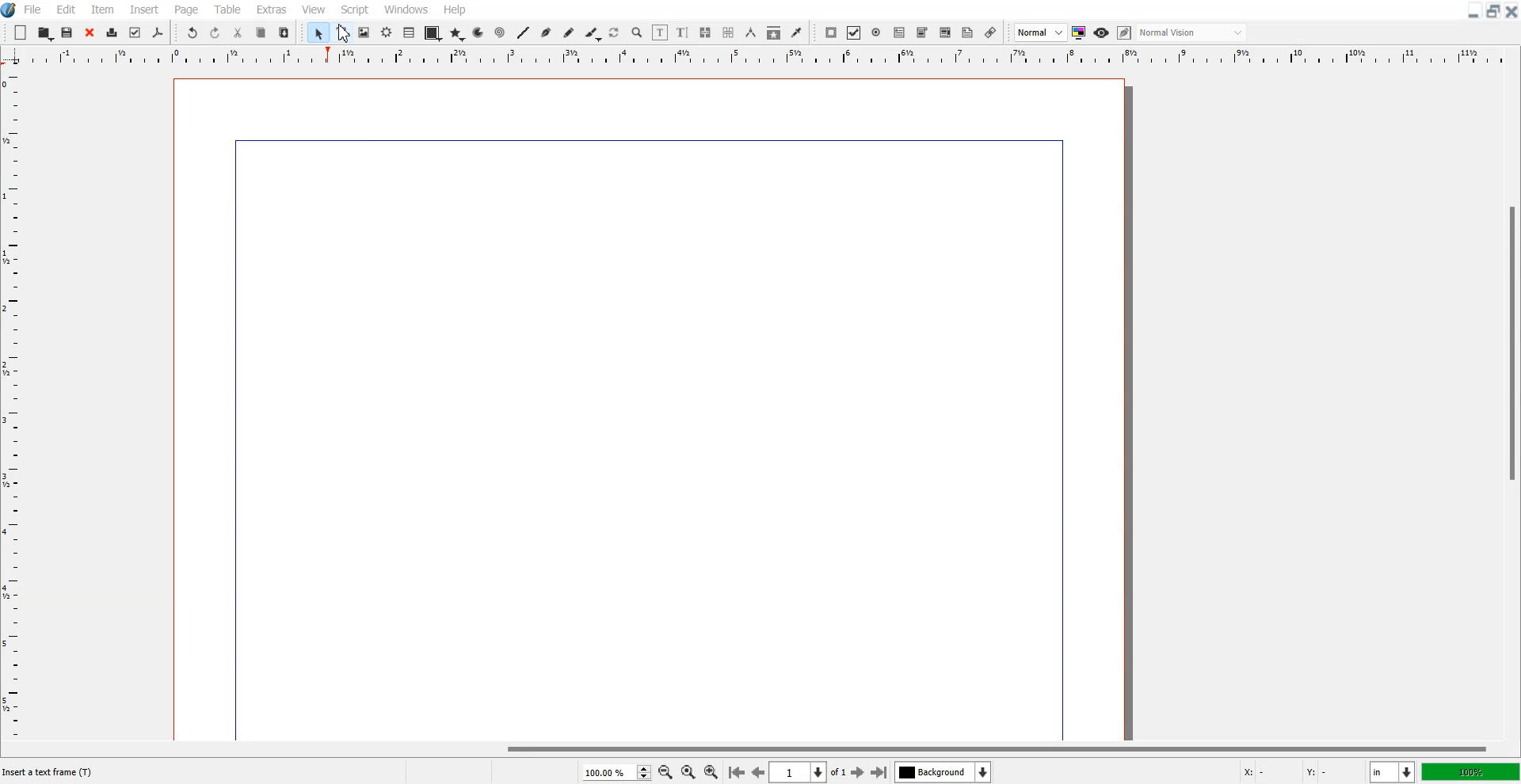 This screenshot has height=784, width=1521. What do you see at coordinates (102, 10) in the screenshot?
I see `Item` at bounding box center [102, 10].